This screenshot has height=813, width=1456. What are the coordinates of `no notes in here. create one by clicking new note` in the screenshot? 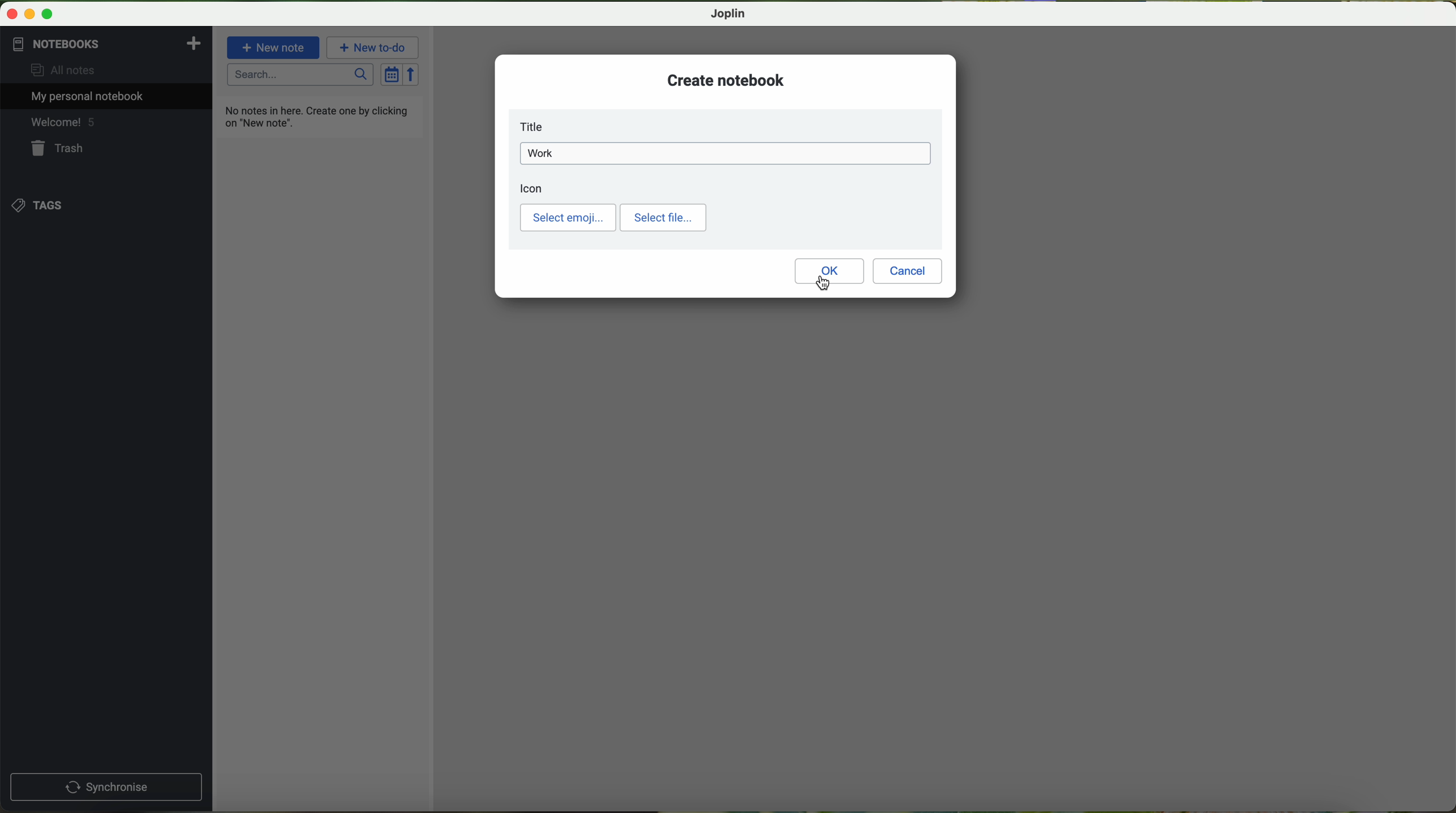 It's located at (319, 116).